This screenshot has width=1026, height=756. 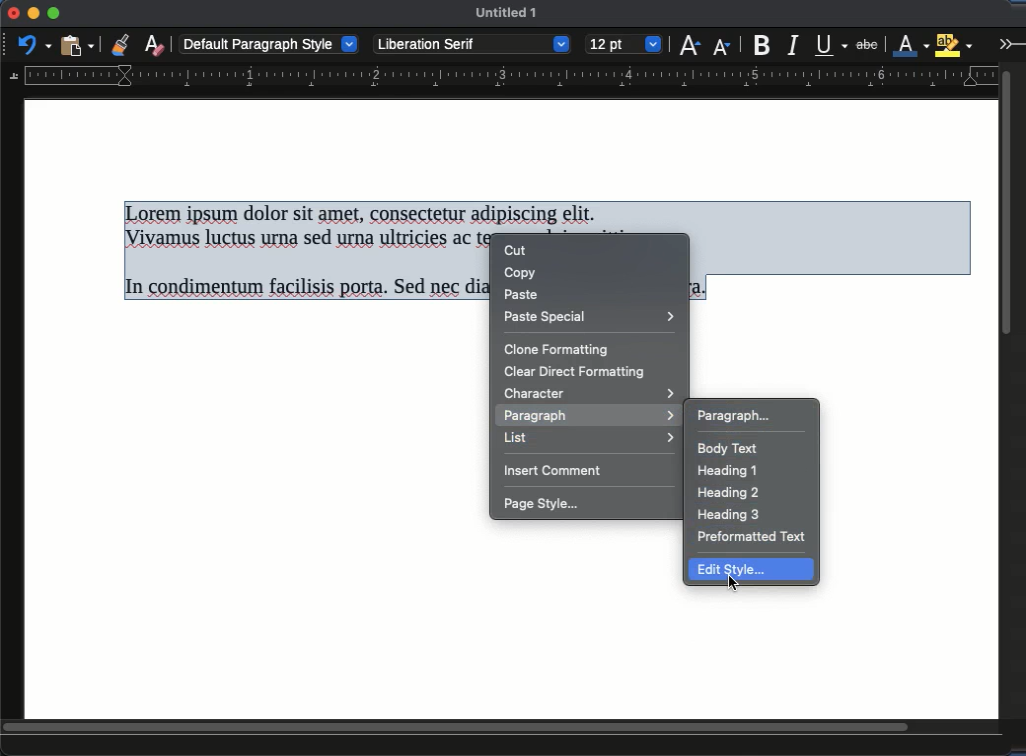 I want to click on paste, so click(x=79, y=44).